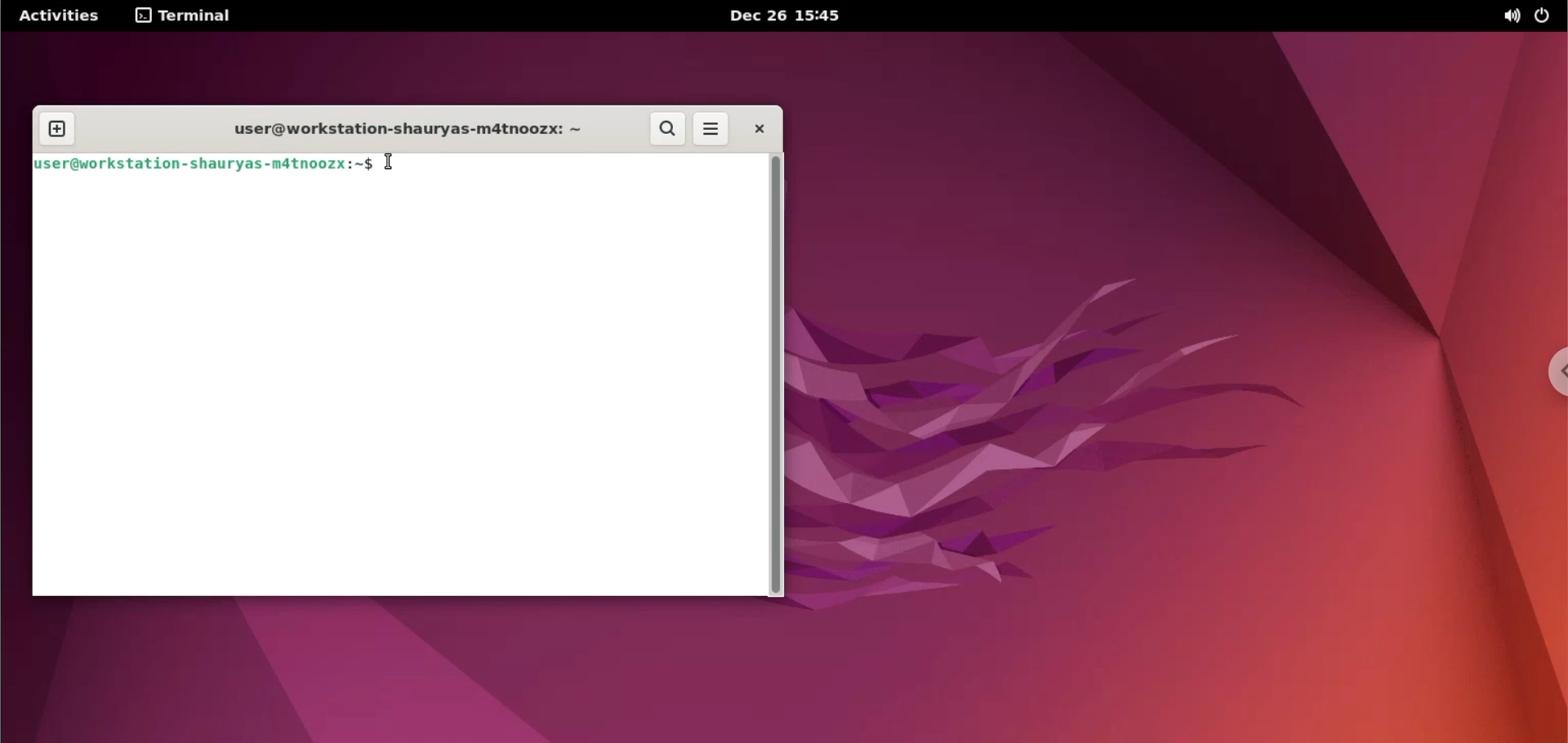 The height and width of the screenshot is (743, 1568). Describe the element at coordinates (1545, 16) in the screenshot. I see `power options` at that location.